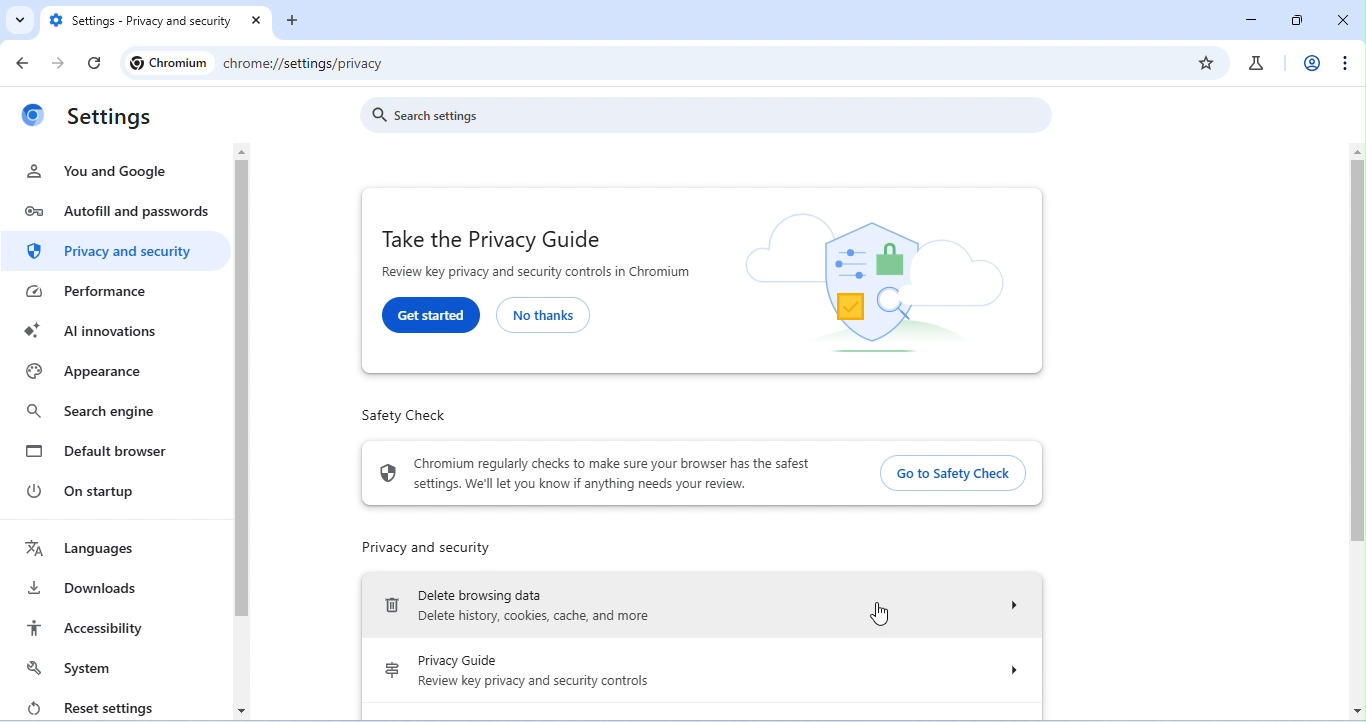 The width and height of the screenshot is (1366, 722). What do you see at coordinates (710, 116) in the screenshot?
I see `search settings` at bounding box center [710, 116].